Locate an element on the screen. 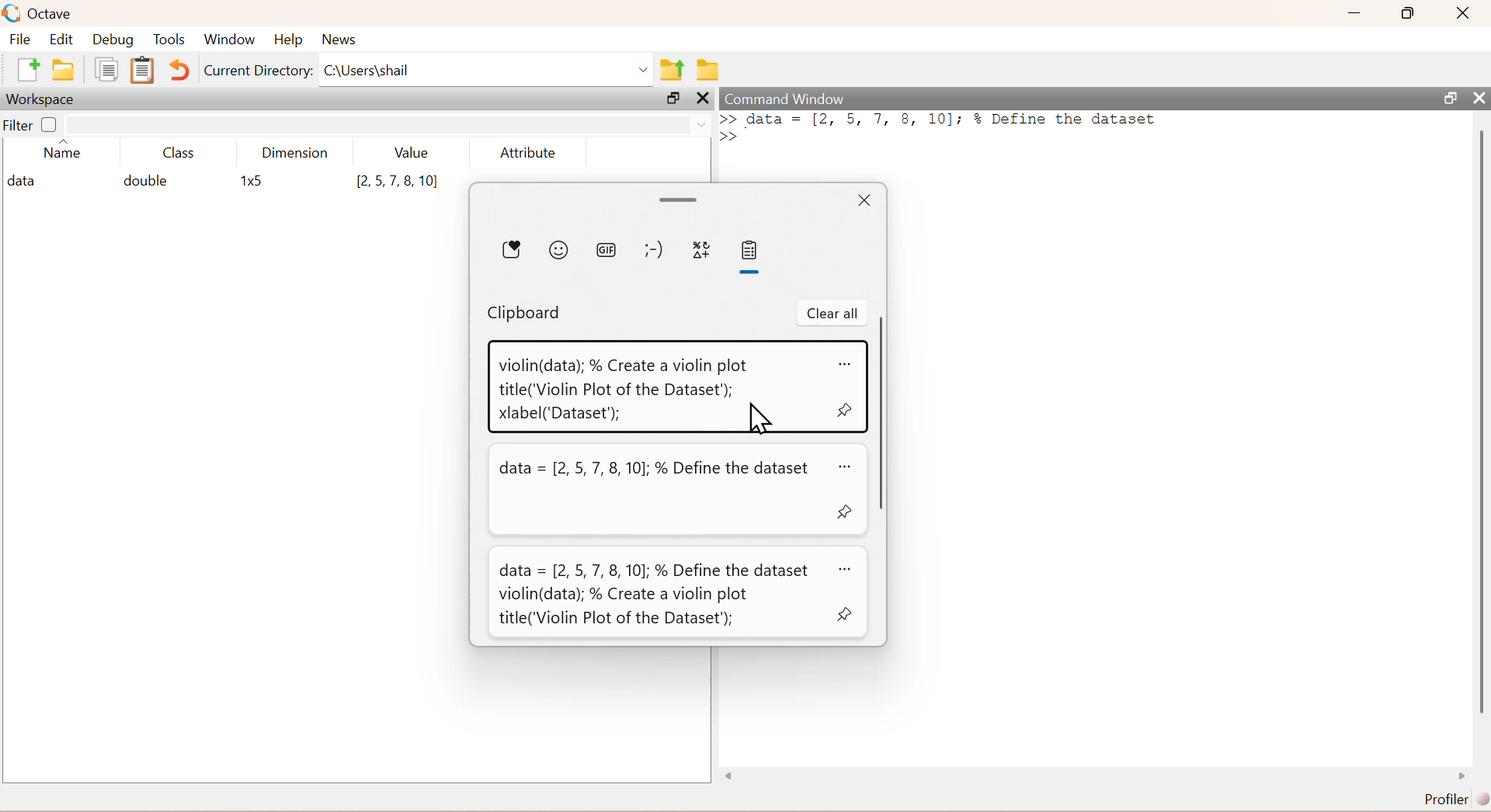 This screenshot has height=812, width=1491. data = [2, 5, 7, 8, 10]; % Define the dataset is located at coordinates (657, 470).